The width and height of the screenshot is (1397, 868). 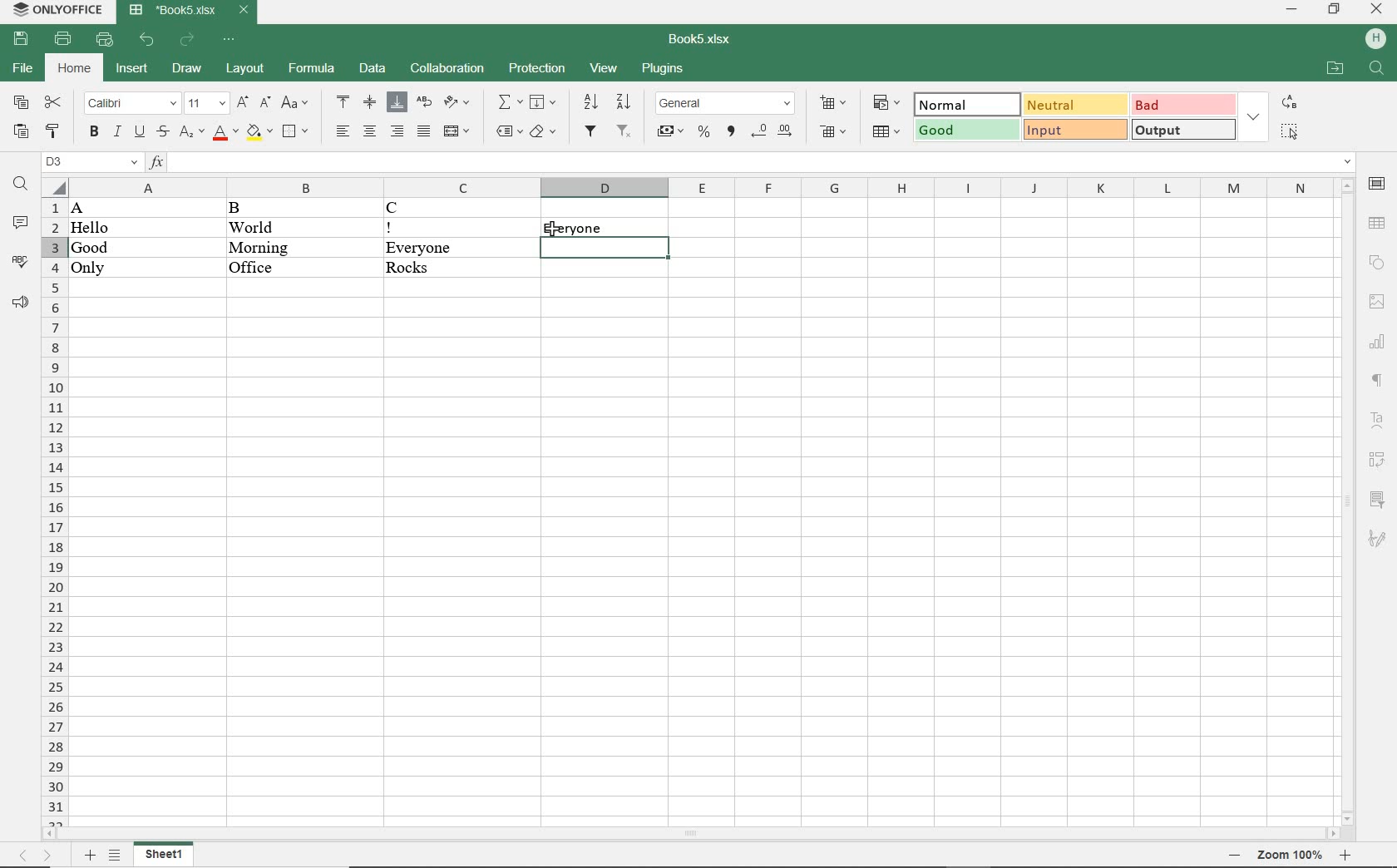 I want to click on sort ascending, so click(x=590, y=103).